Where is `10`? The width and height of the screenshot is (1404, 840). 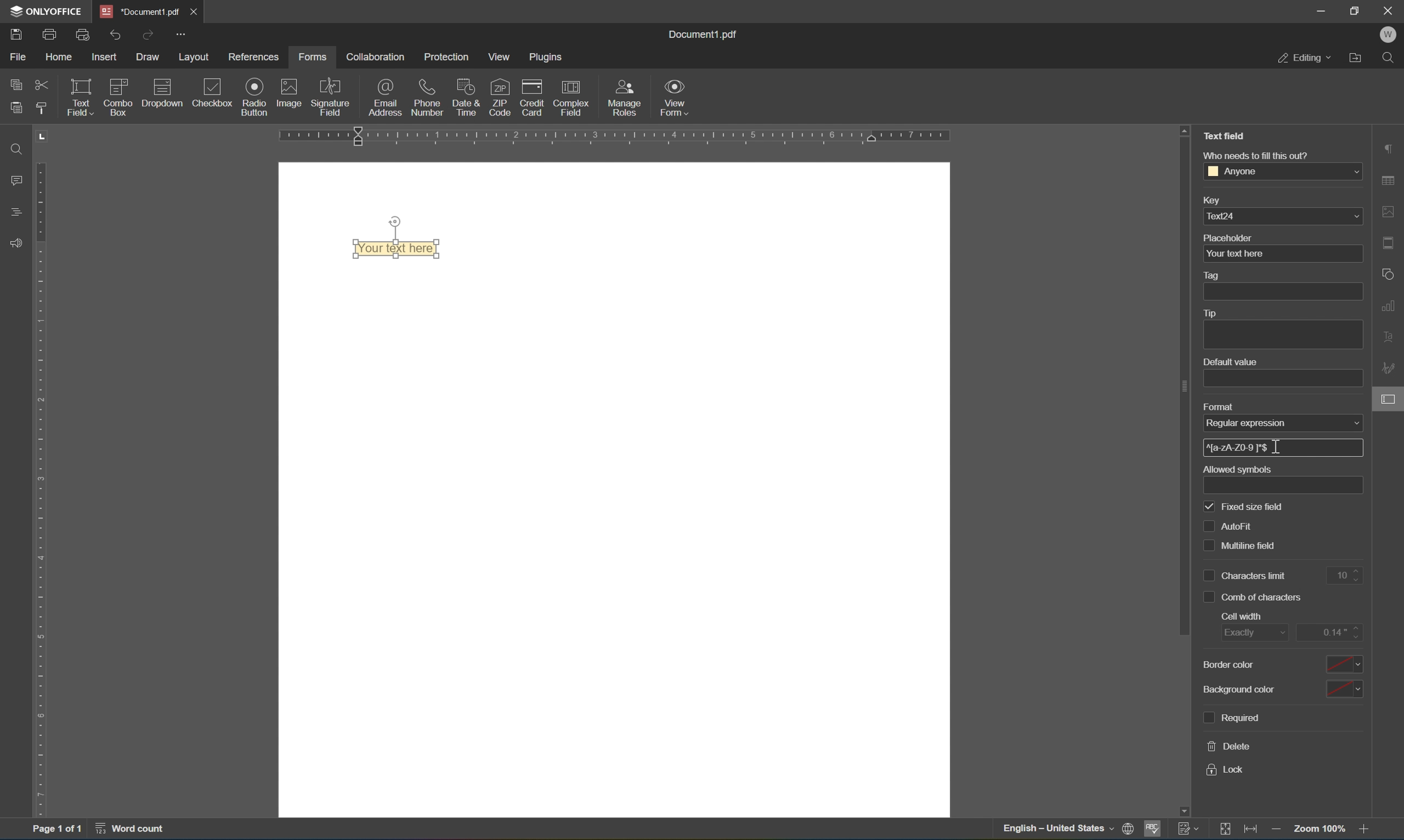
10 is located at coordinates (1348, 576).